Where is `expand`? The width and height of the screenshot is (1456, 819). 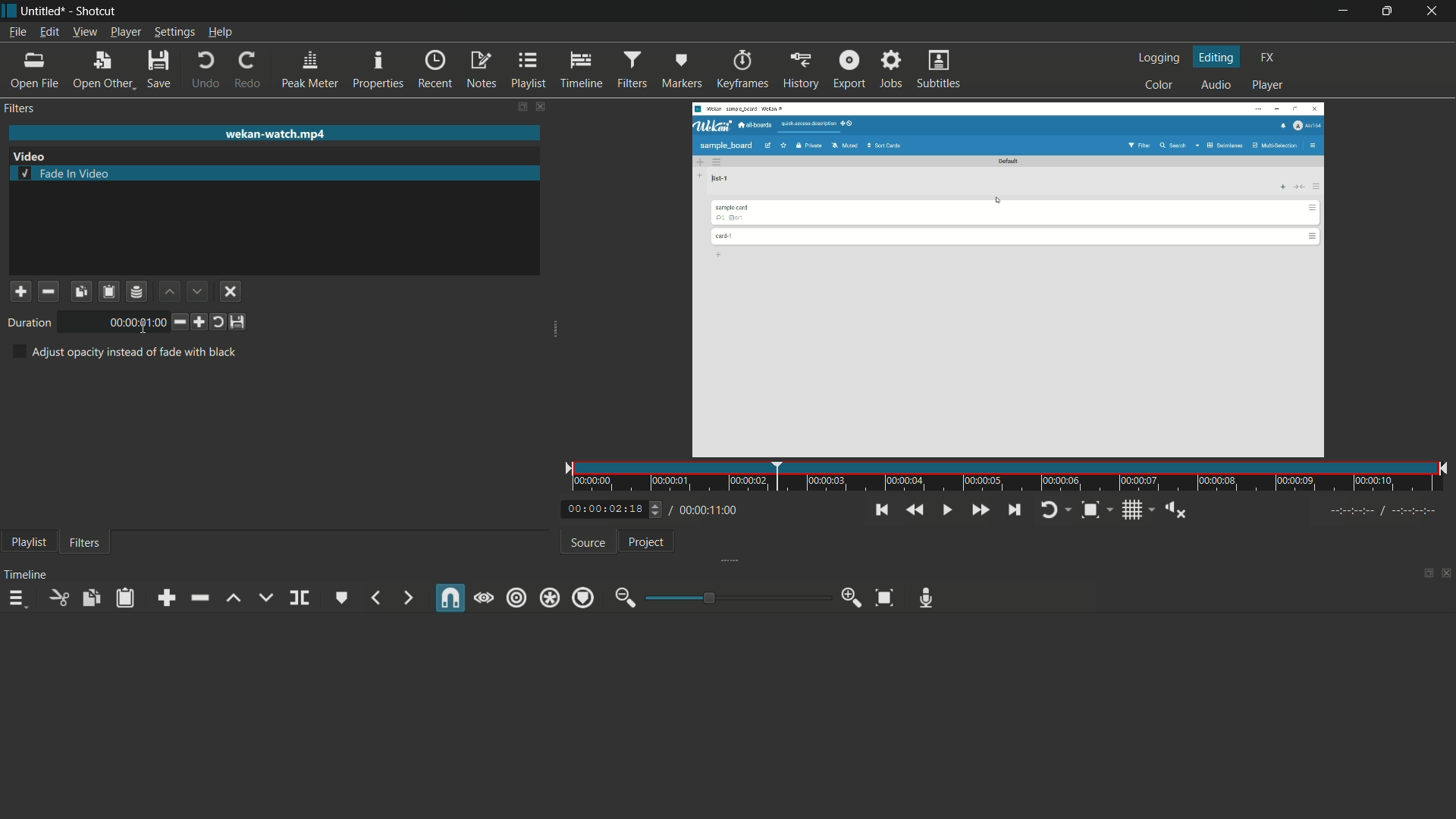
expand is located at coordinates (555, 331).